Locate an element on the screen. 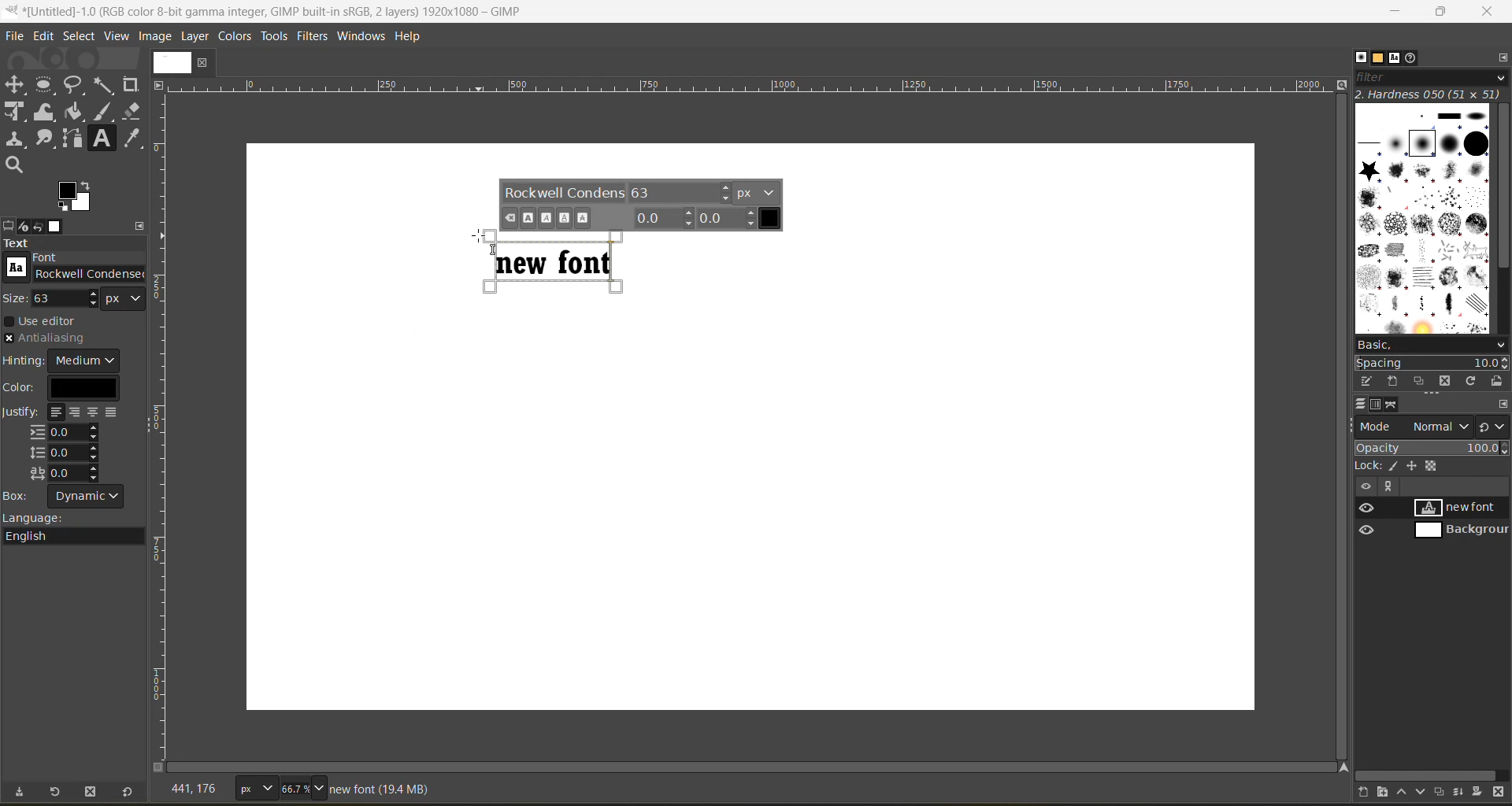 The width and height of the screenshot is (1512, 806). text  is located at coordinates (560, 261).